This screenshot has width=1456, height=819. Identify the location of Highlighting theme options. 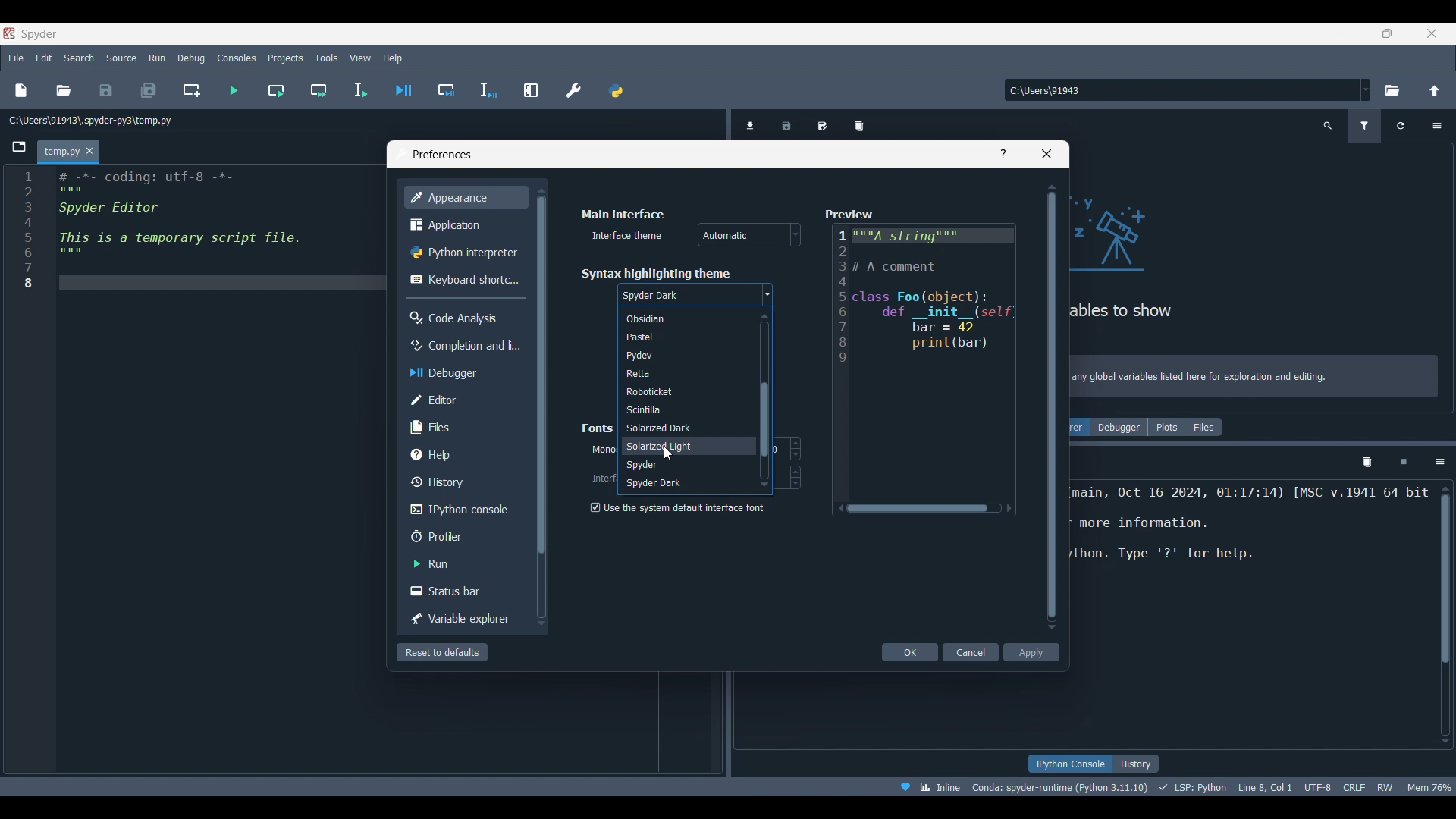
(695, 296).